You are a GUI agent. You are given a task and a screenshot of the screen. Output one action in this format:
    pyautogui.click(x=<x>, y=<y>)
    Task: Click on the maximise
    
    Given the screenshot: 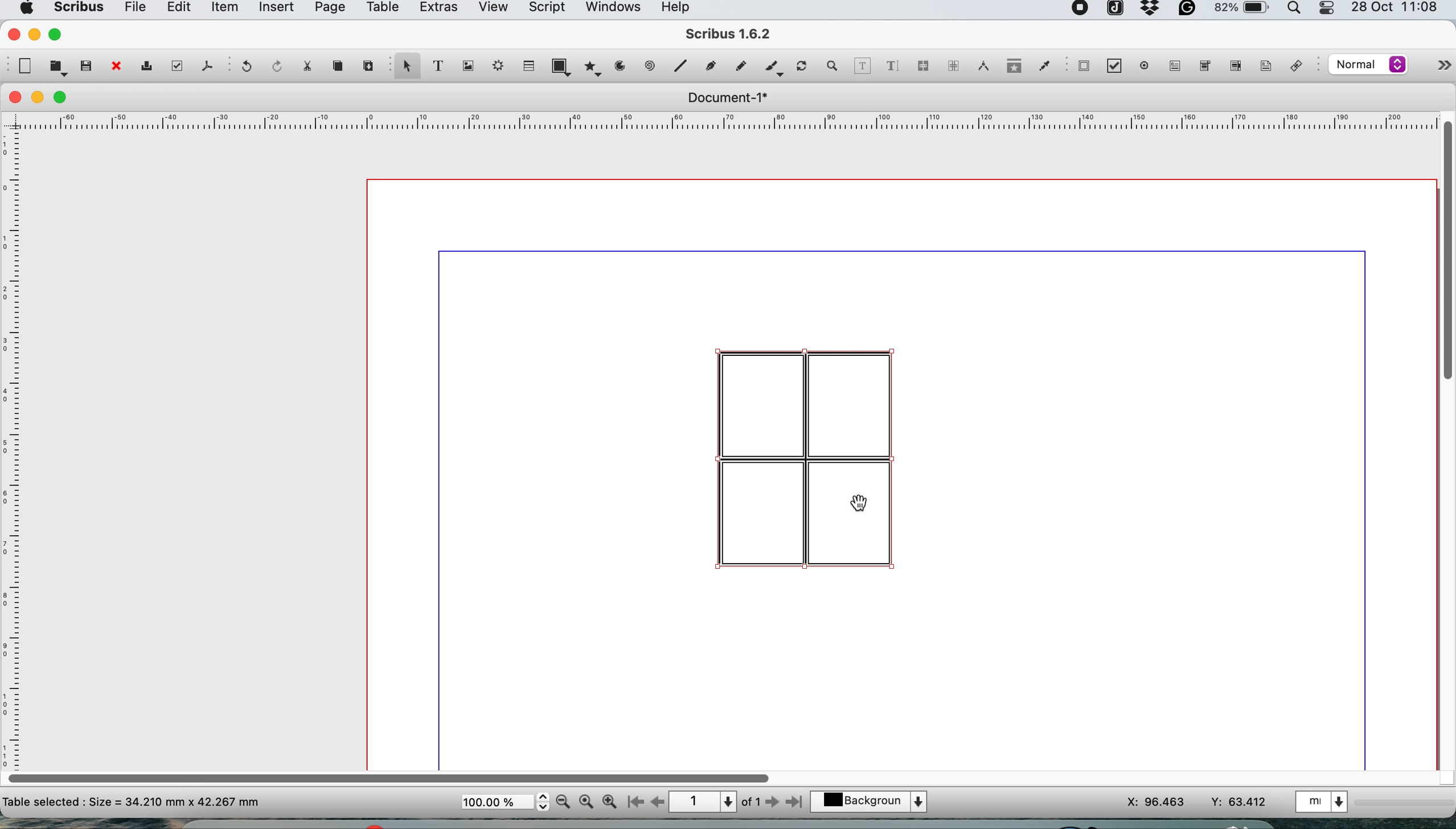 What is the action you would take?
    pyautogui.click(x=64, y=98)
    